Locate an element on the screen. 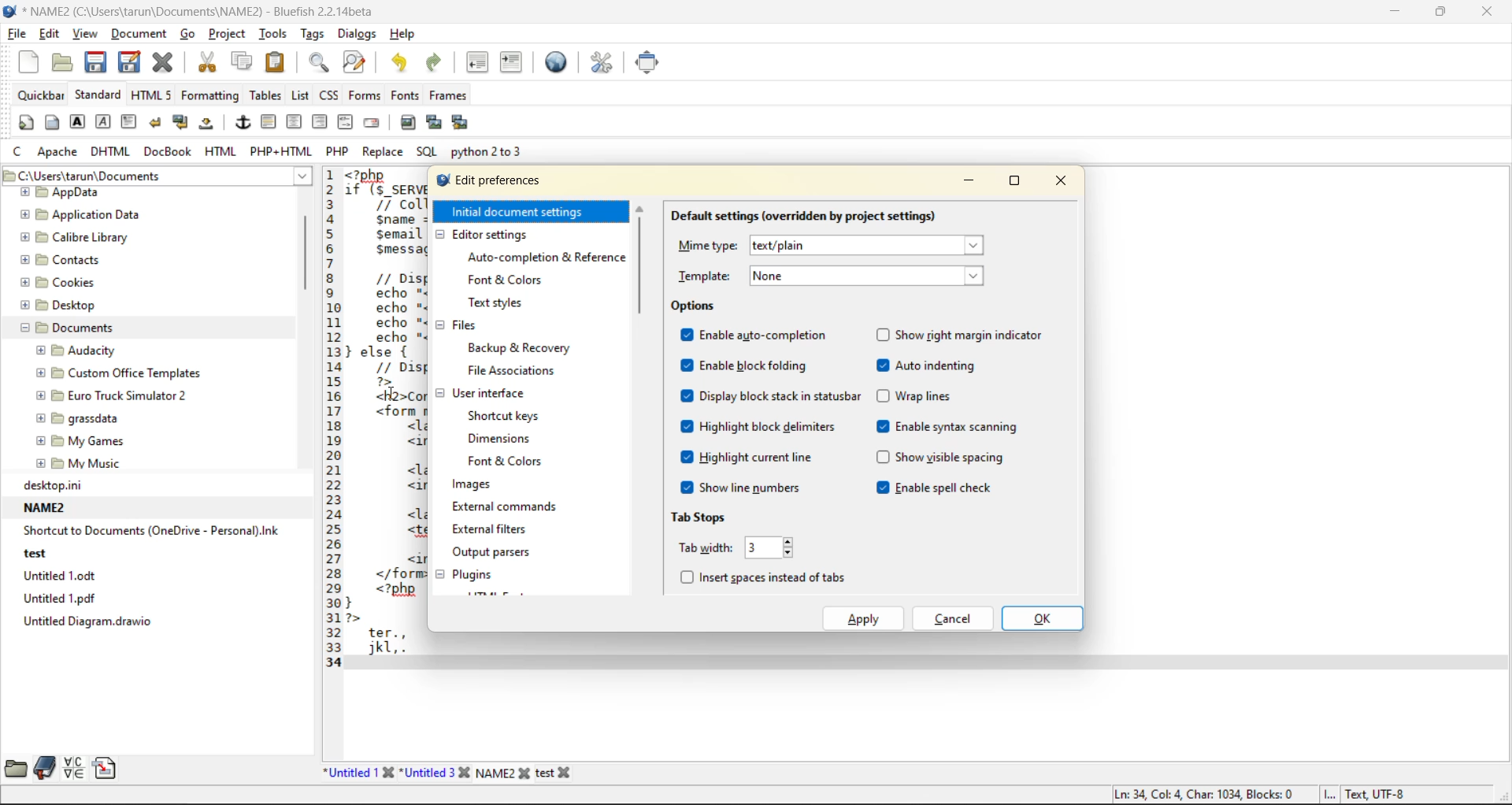  css is located at coordinates (329, 94).